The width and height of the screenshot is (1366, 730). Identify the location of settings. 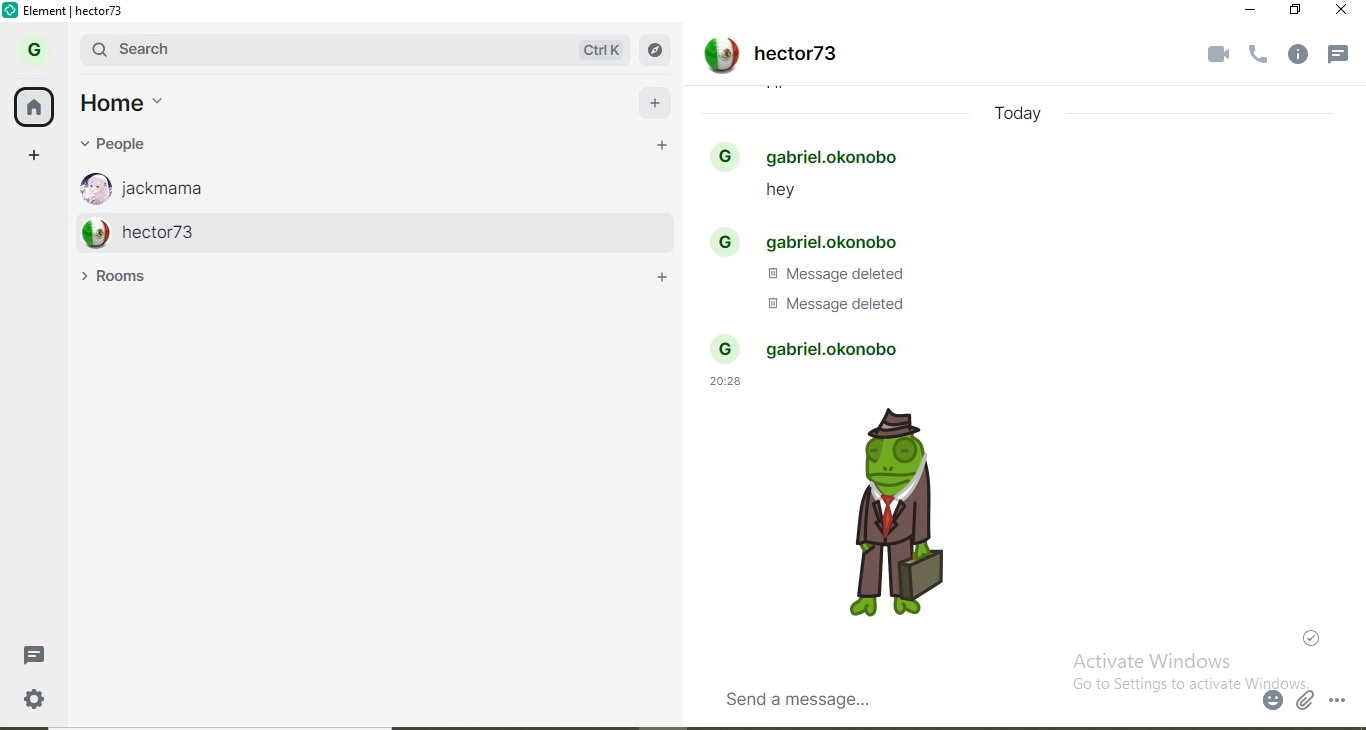
(46, 704).